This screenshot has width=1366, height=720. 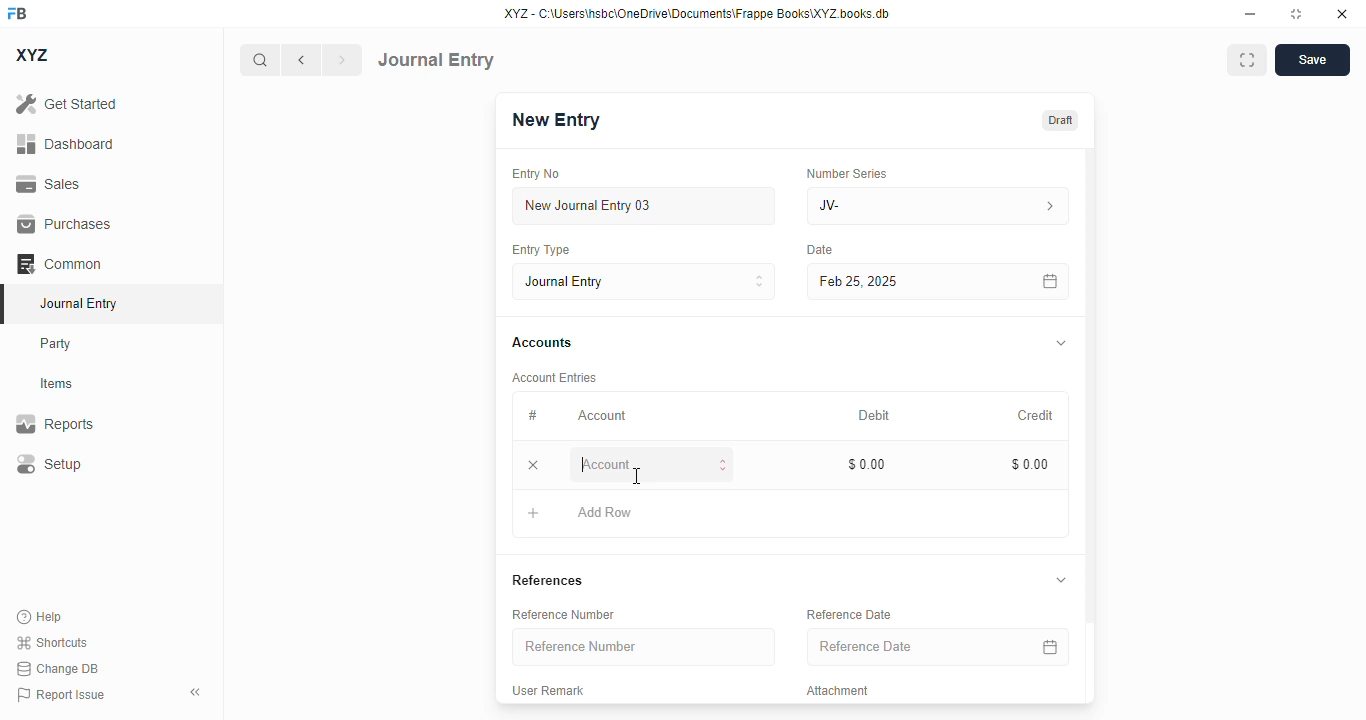 What do you see at coordinates (1037, 416) in the screenshot?
I see `credit` at bounding box center [1037, 416].